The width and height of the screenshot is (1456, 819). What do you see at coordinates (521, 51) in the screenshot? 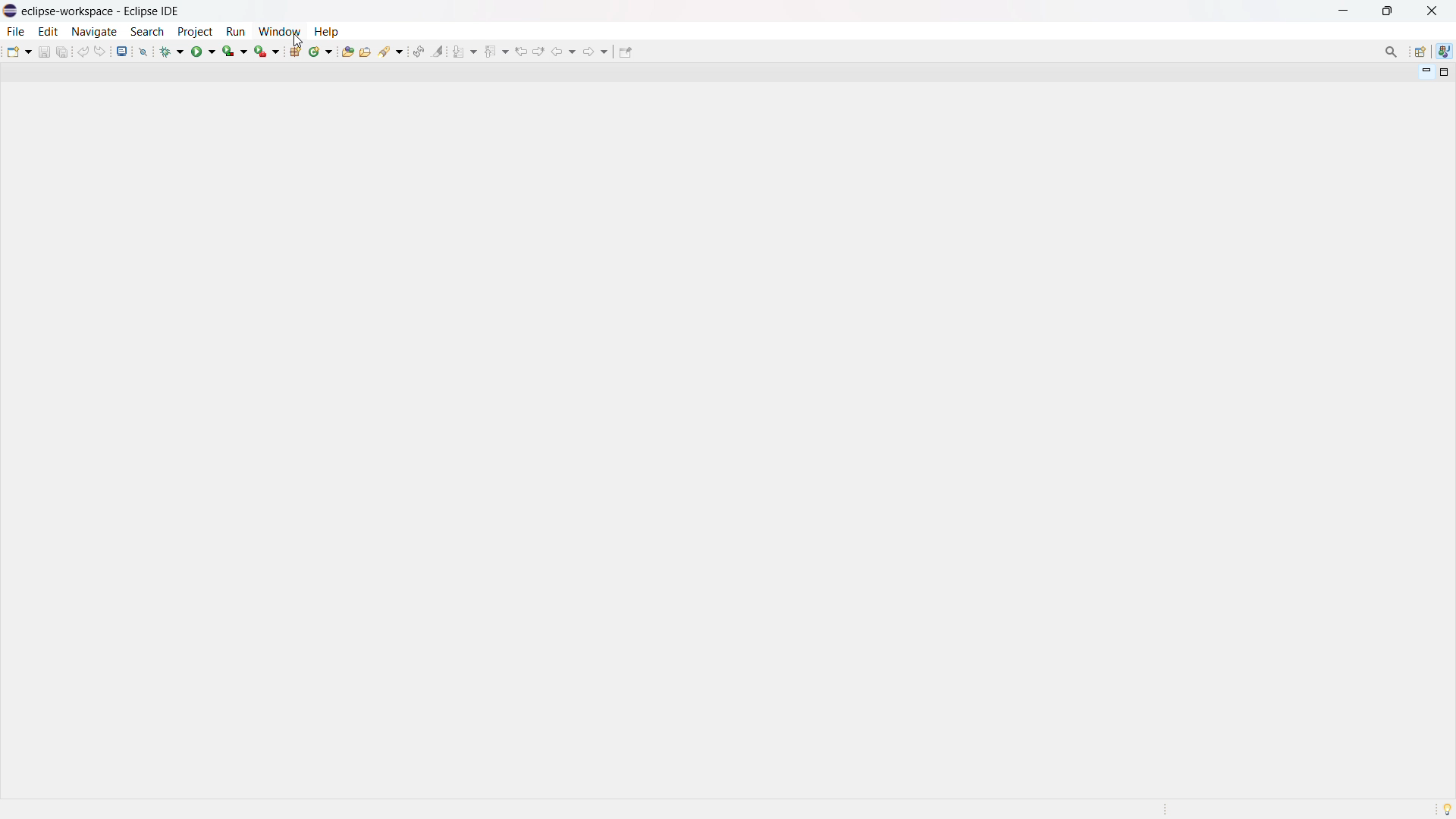
I see `view previous location` at bounding box center [521, 51].